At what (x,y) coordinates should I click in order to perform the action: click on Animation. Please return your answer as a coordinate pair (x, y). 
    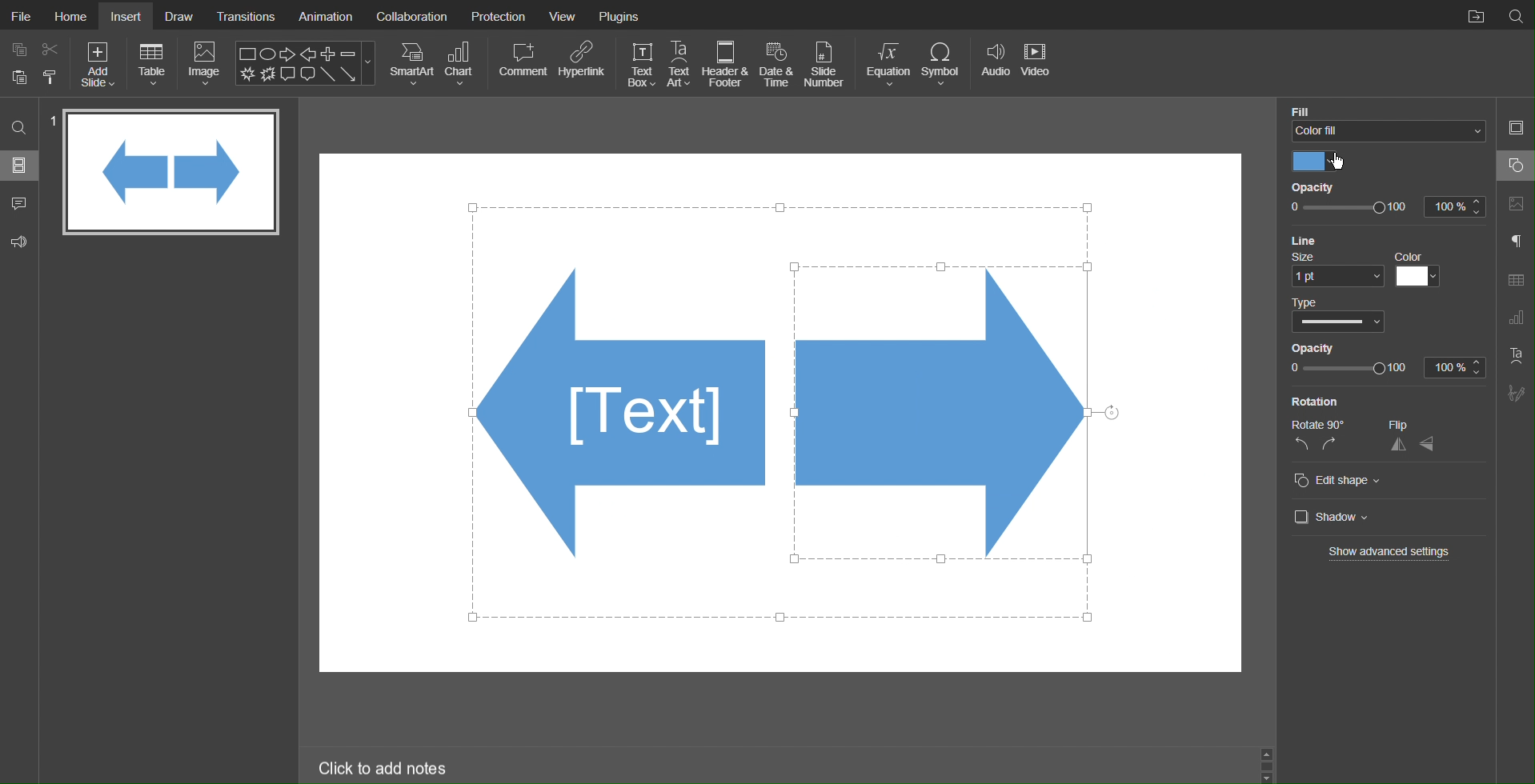
    Looking at the image, I should click on (325, 14).